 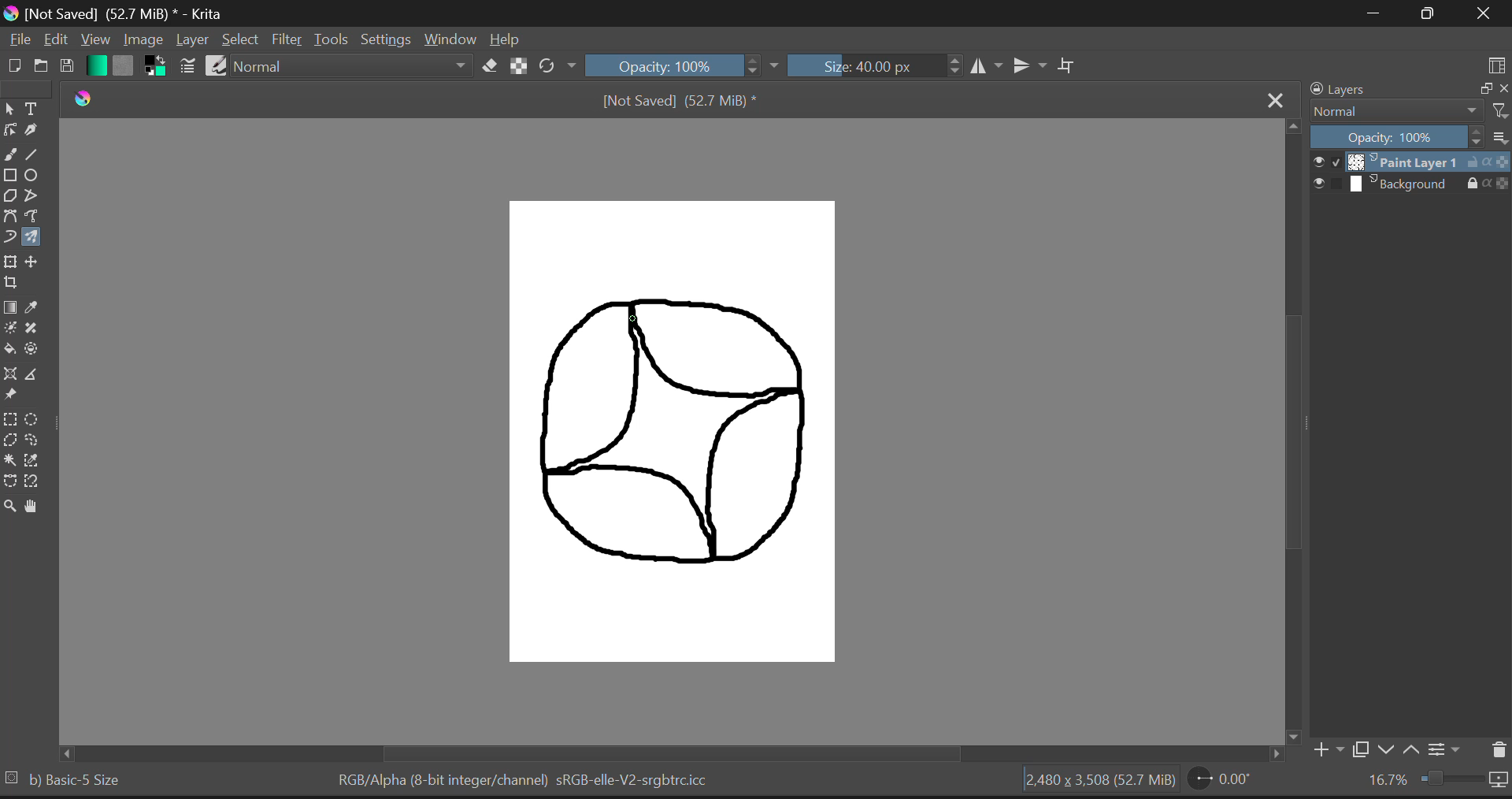 I want to click on Settings, so click(x=1447, y=753).